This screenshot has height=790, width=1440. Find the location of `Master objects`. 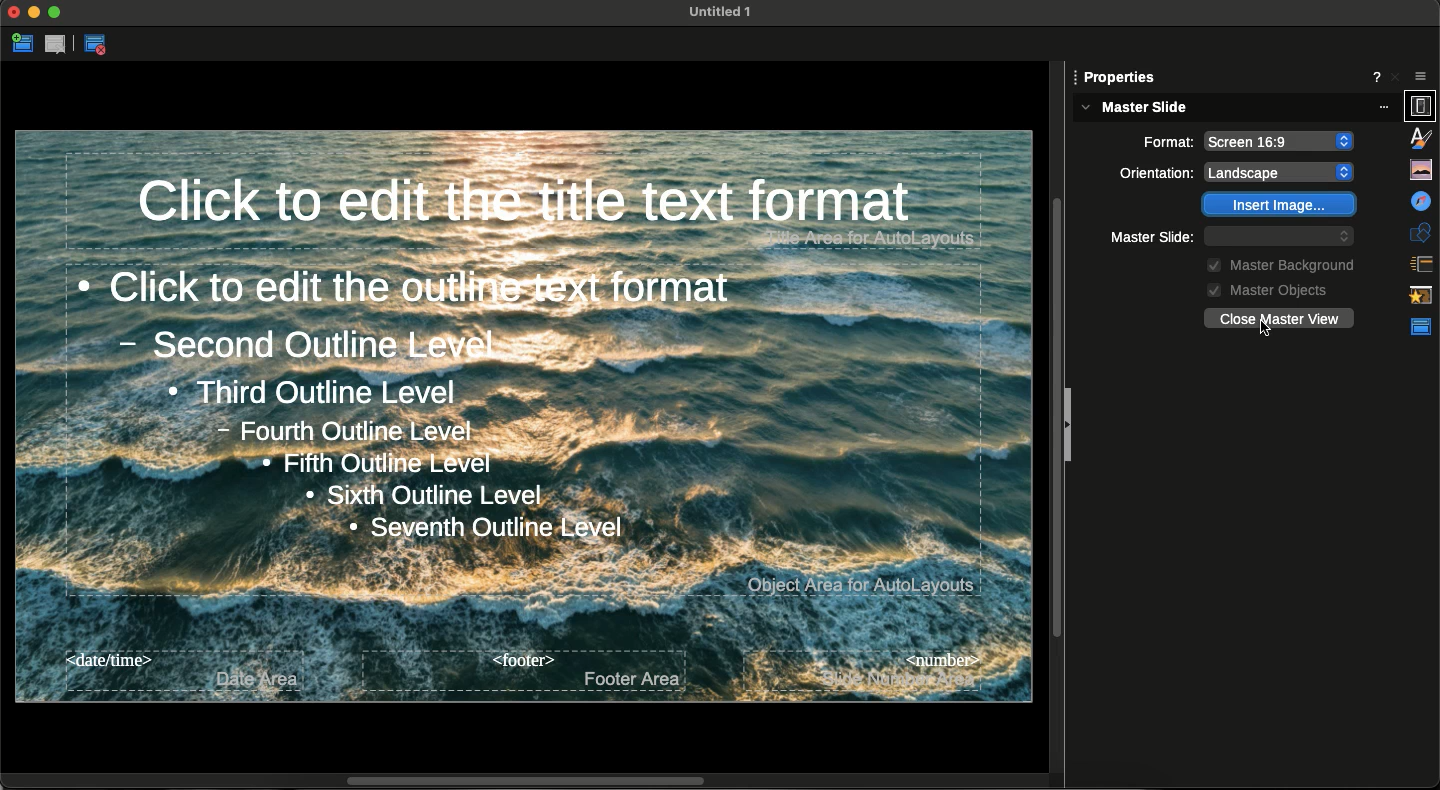

Master objects is located at coordinates (1263, 289).